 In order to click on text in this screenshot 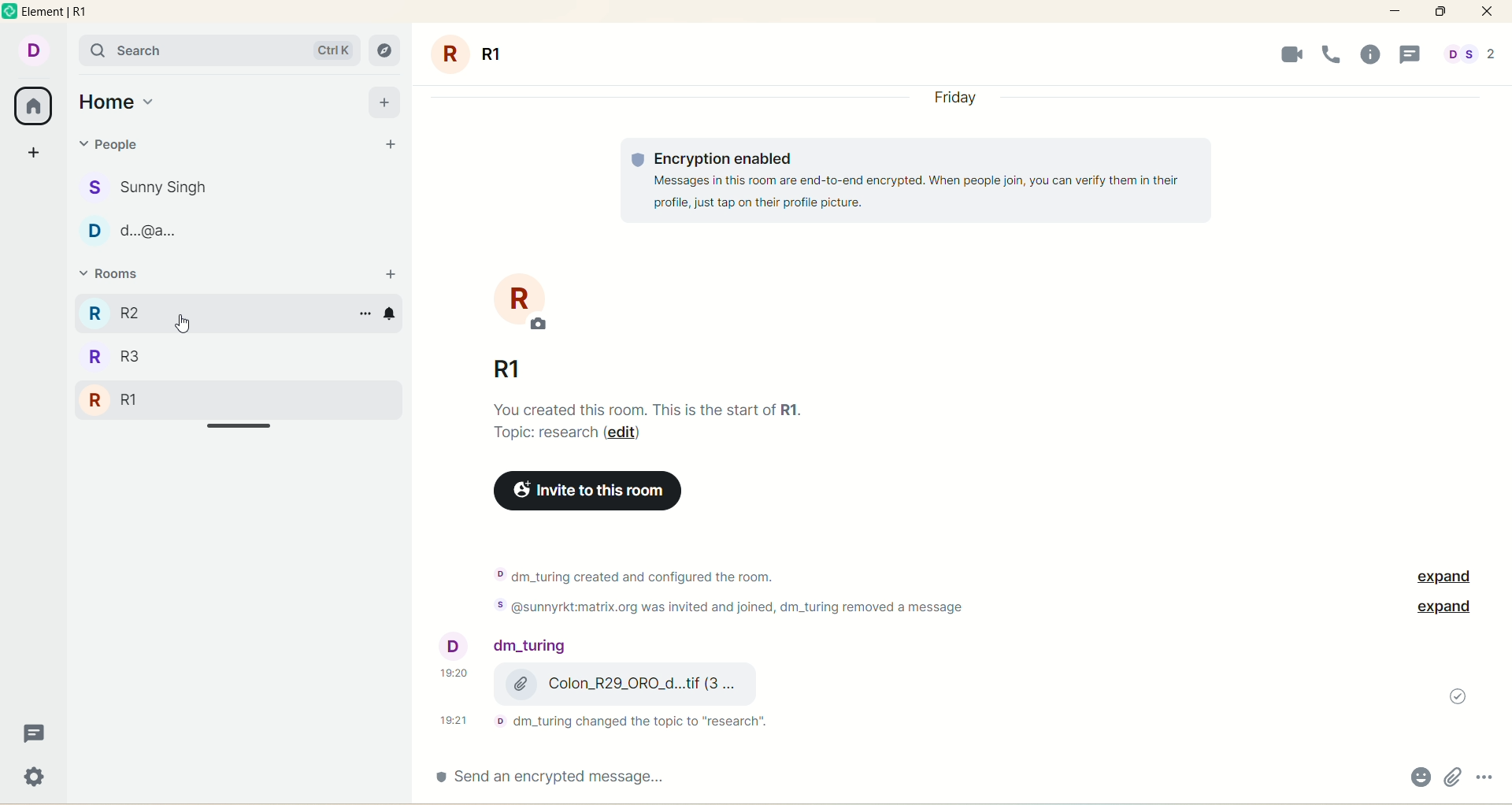, I will do `click(753, 589)`.